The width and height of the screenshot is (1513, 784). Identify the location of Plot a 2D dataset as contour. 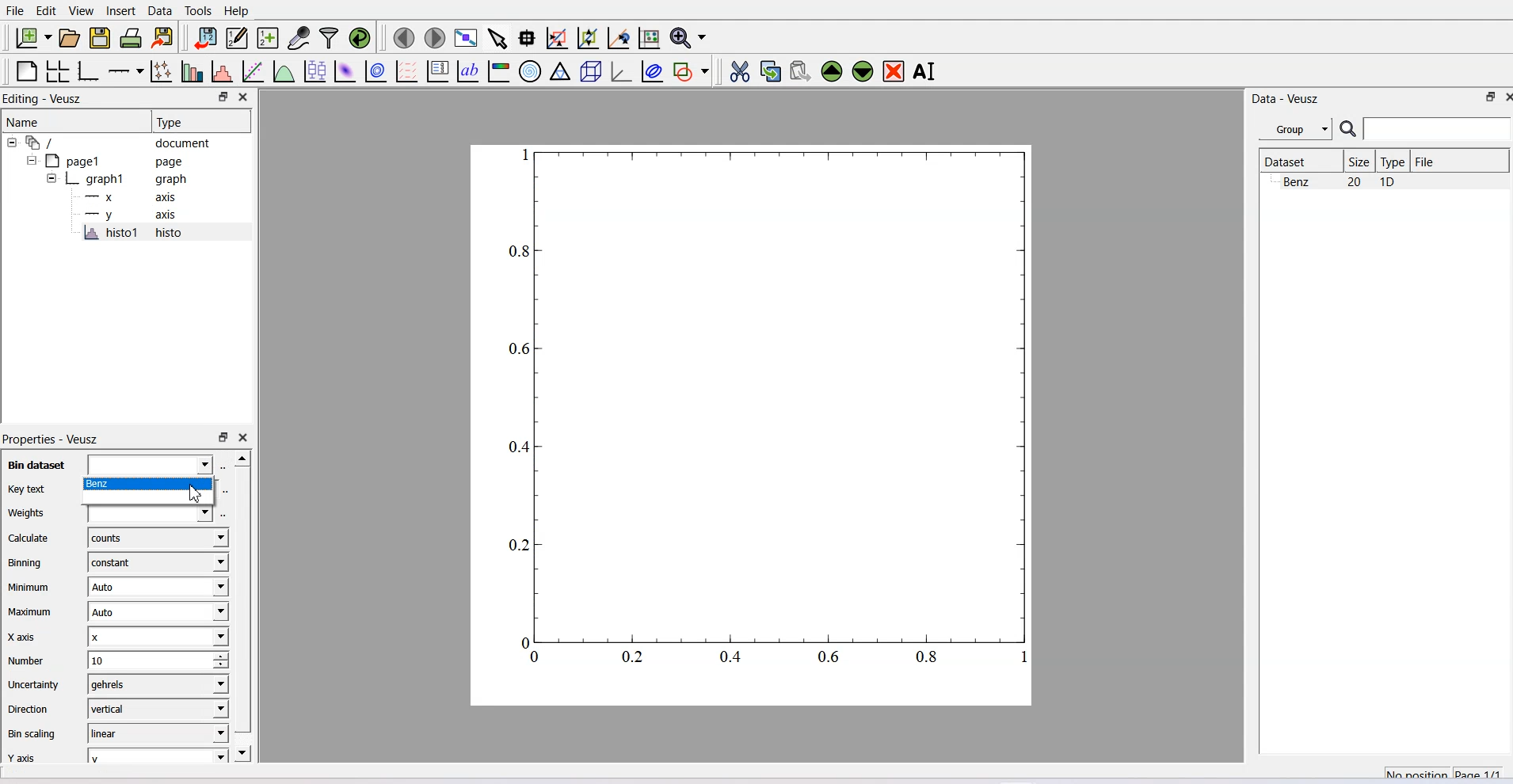
(376, 71).